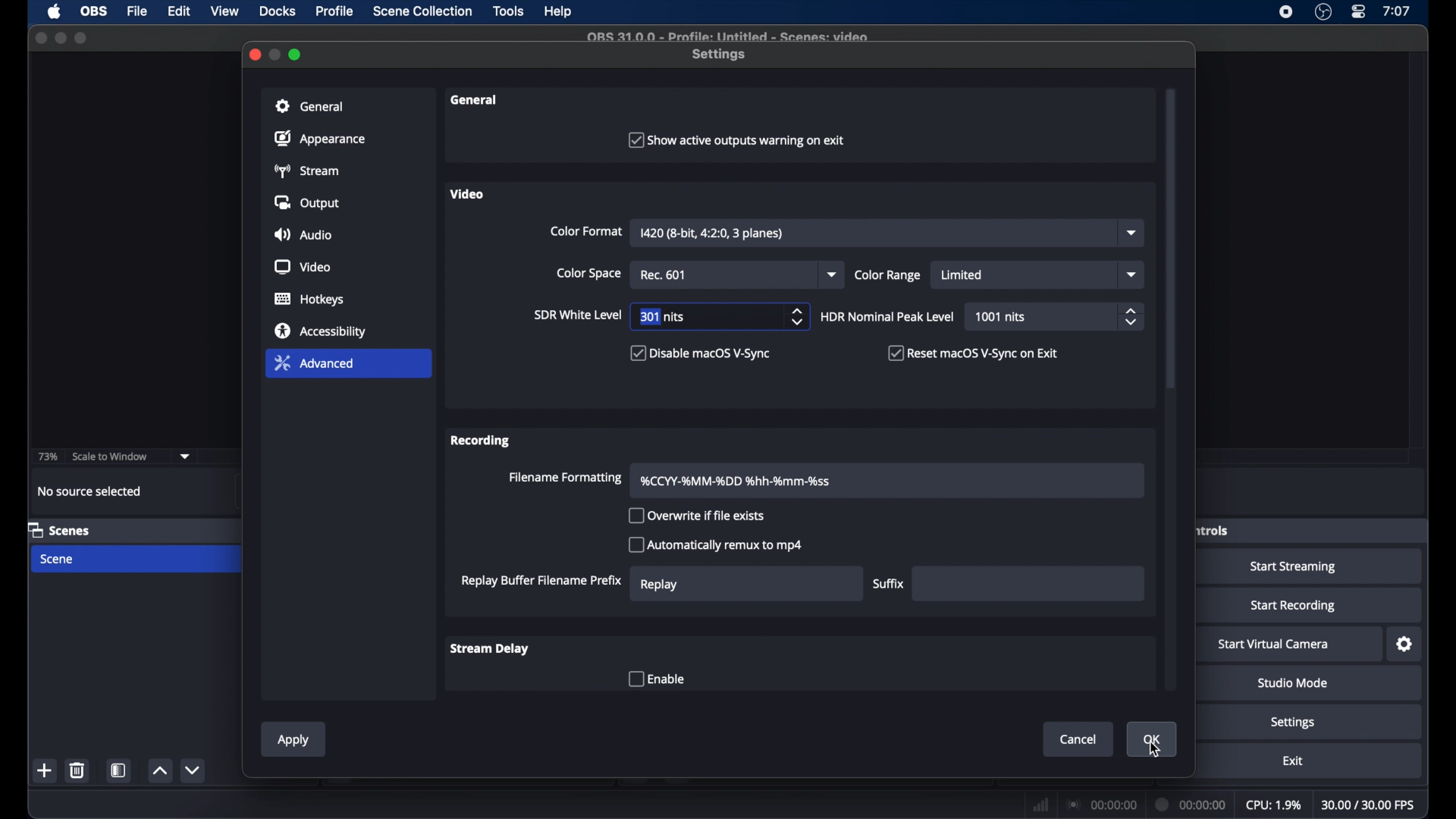 Image resolution: width=1456 pixels, height=819 pixels. Describe the element at coordinates (320, 331) in the screenshot. I see `accessibility` at that location.